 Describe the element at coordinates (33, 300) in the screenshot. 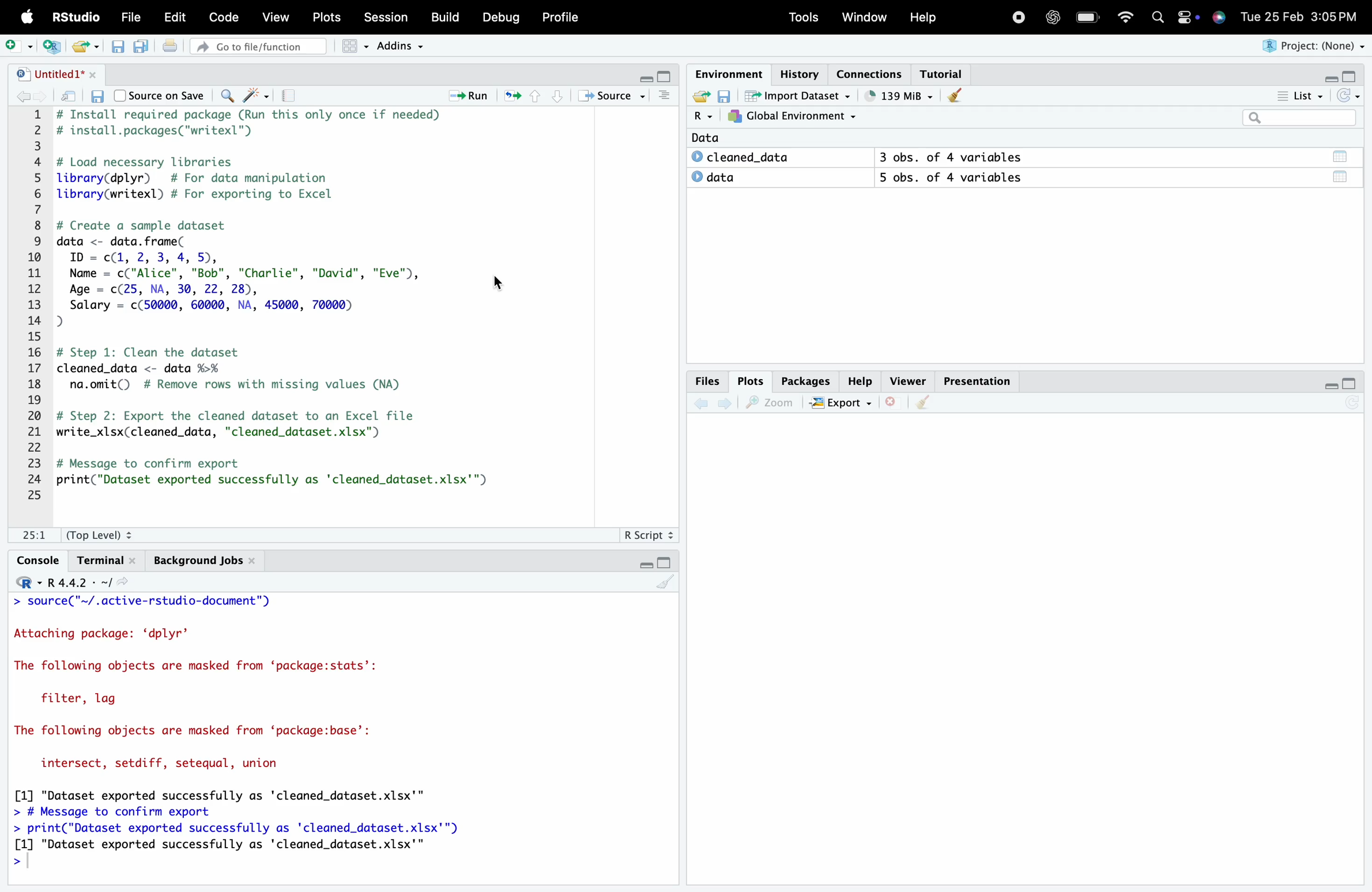

I see `1 2 3 4 5 6 7 8 9 10 11 12 13 14 15 16 17 18 19 20 21 22 23 24` at that location.